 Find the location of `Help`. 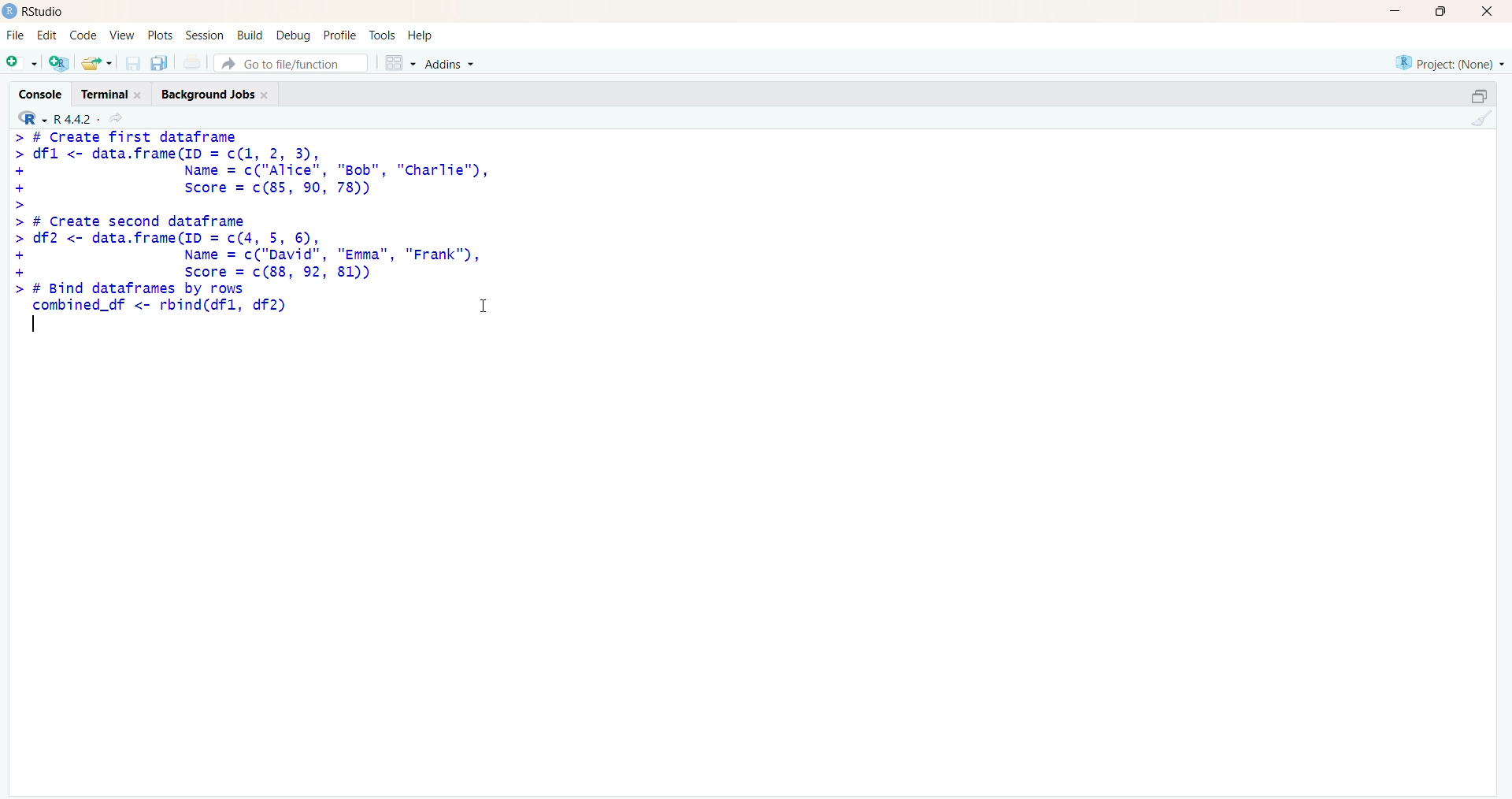

Help is located at coordinates (421, 35).